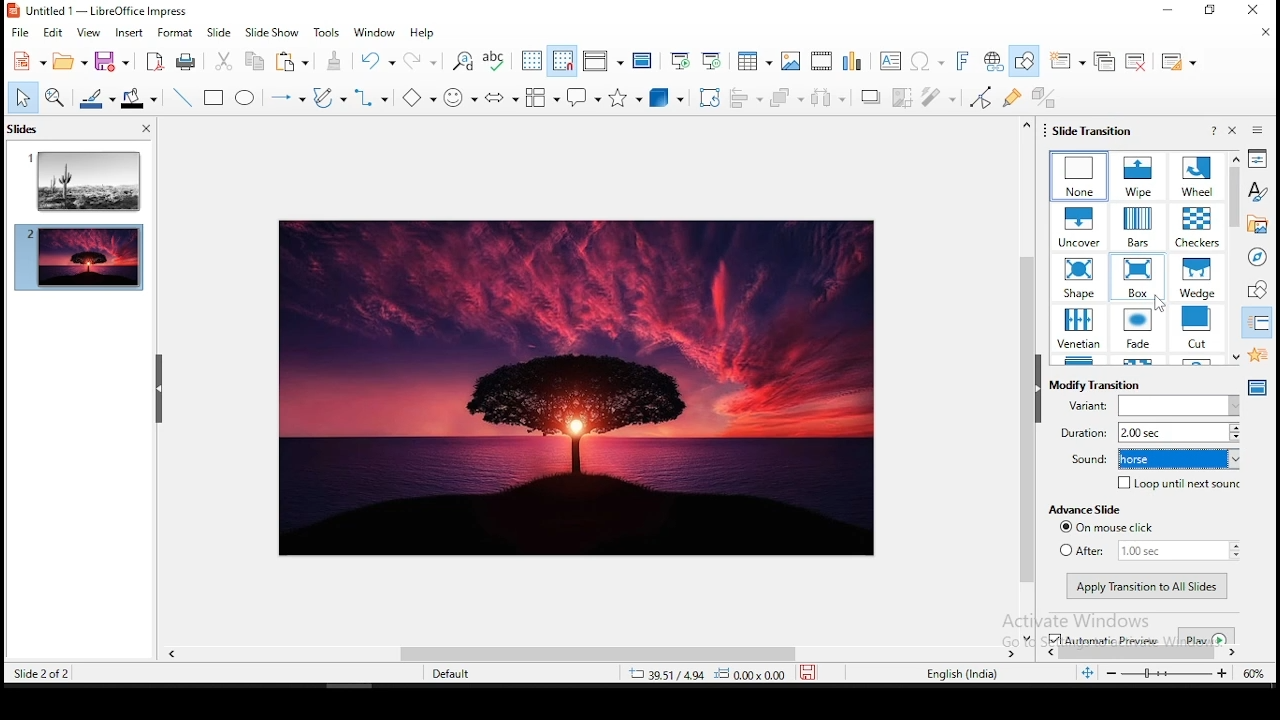 This screenshot has width=1280, height=720. I want to click on properties, so click(1255, 160).